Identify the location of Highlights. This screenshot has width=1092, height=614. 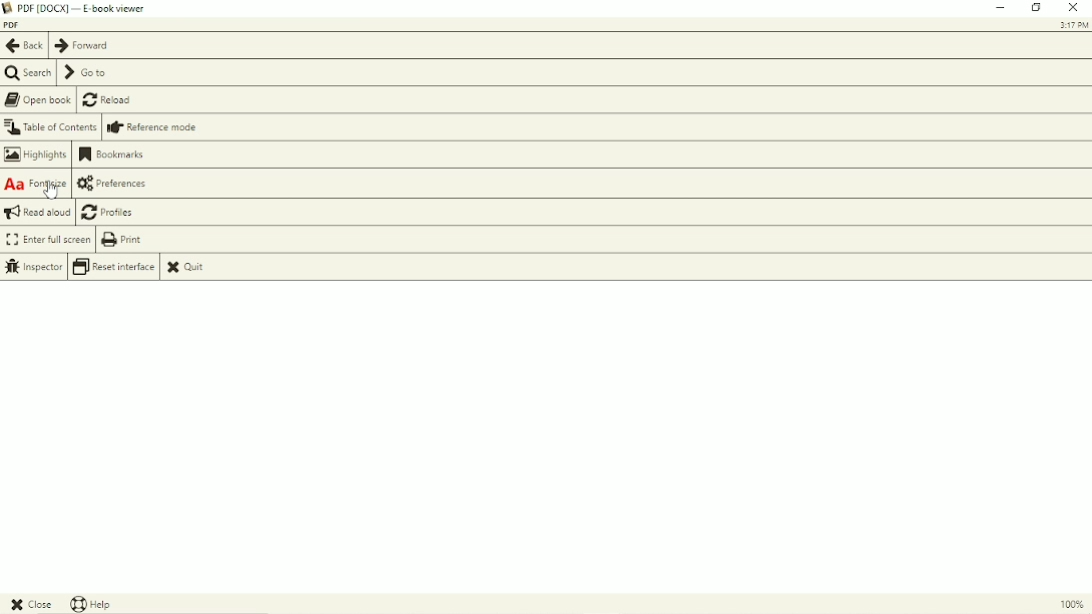
(35, 155).